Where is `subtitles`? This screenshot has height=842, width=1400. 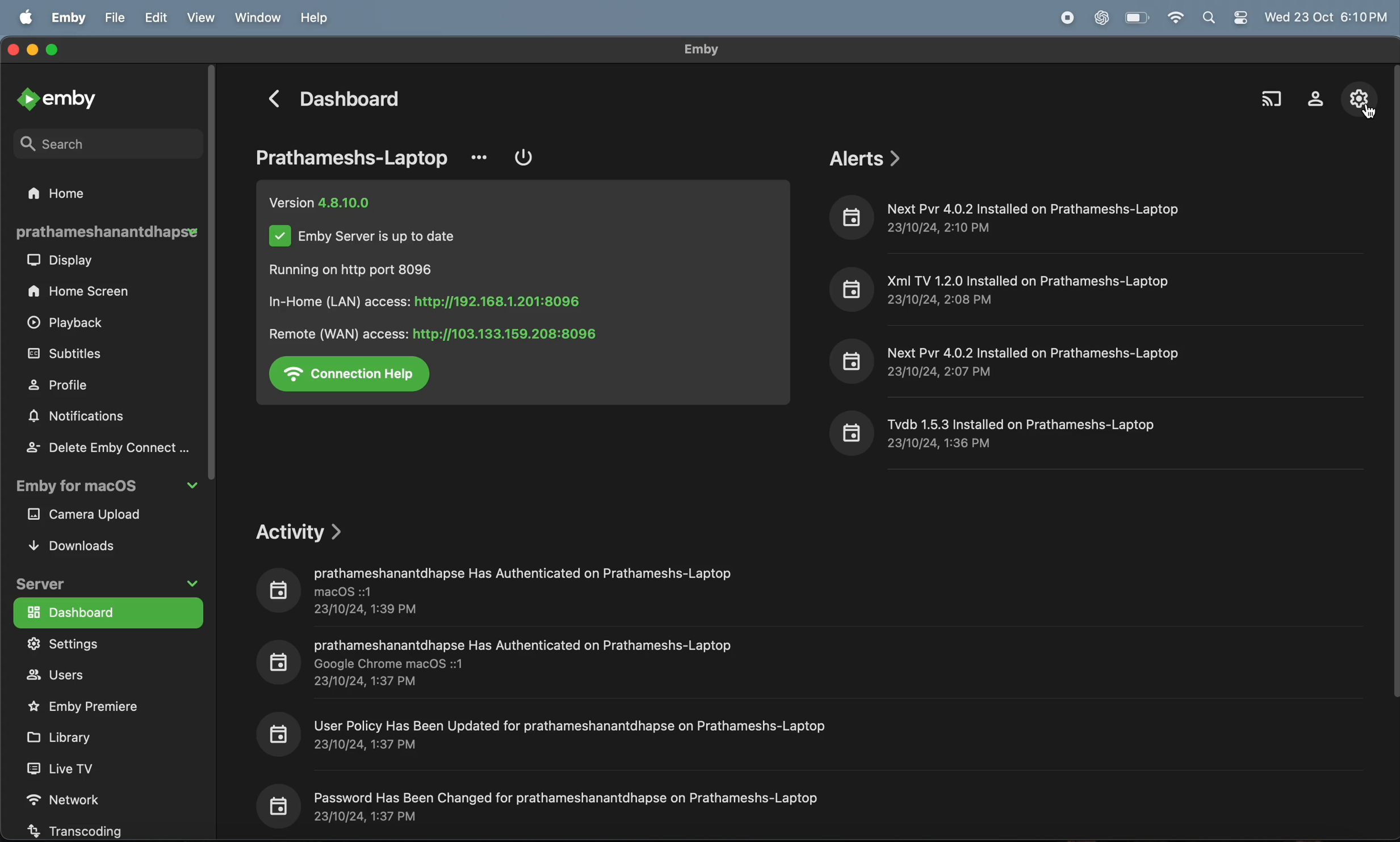
subtitles is located at coordinates (82, 355).